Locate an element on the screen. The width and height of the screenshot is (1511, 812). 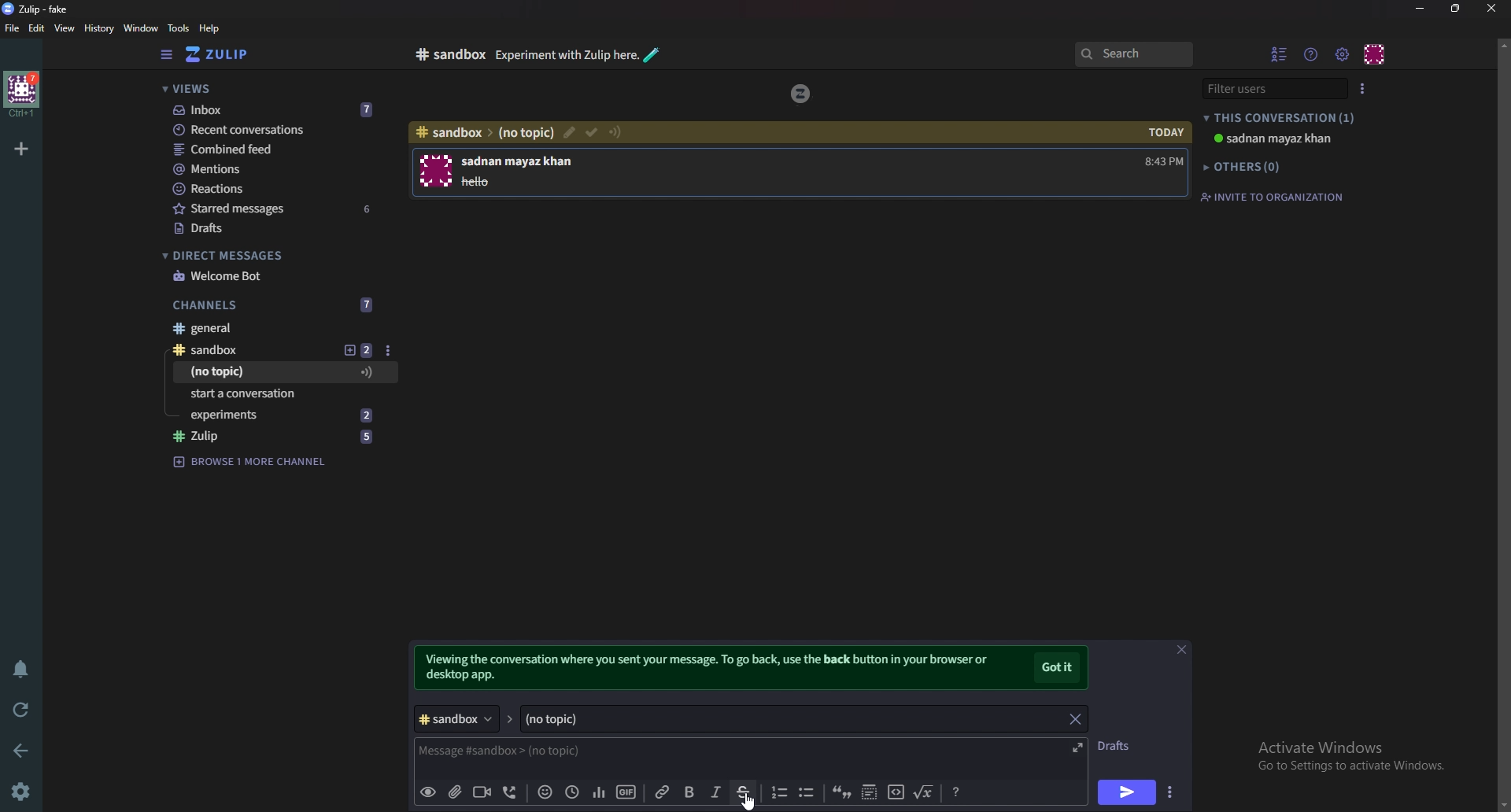
sadnan mayaz khan is located at coordinates (521, 161).